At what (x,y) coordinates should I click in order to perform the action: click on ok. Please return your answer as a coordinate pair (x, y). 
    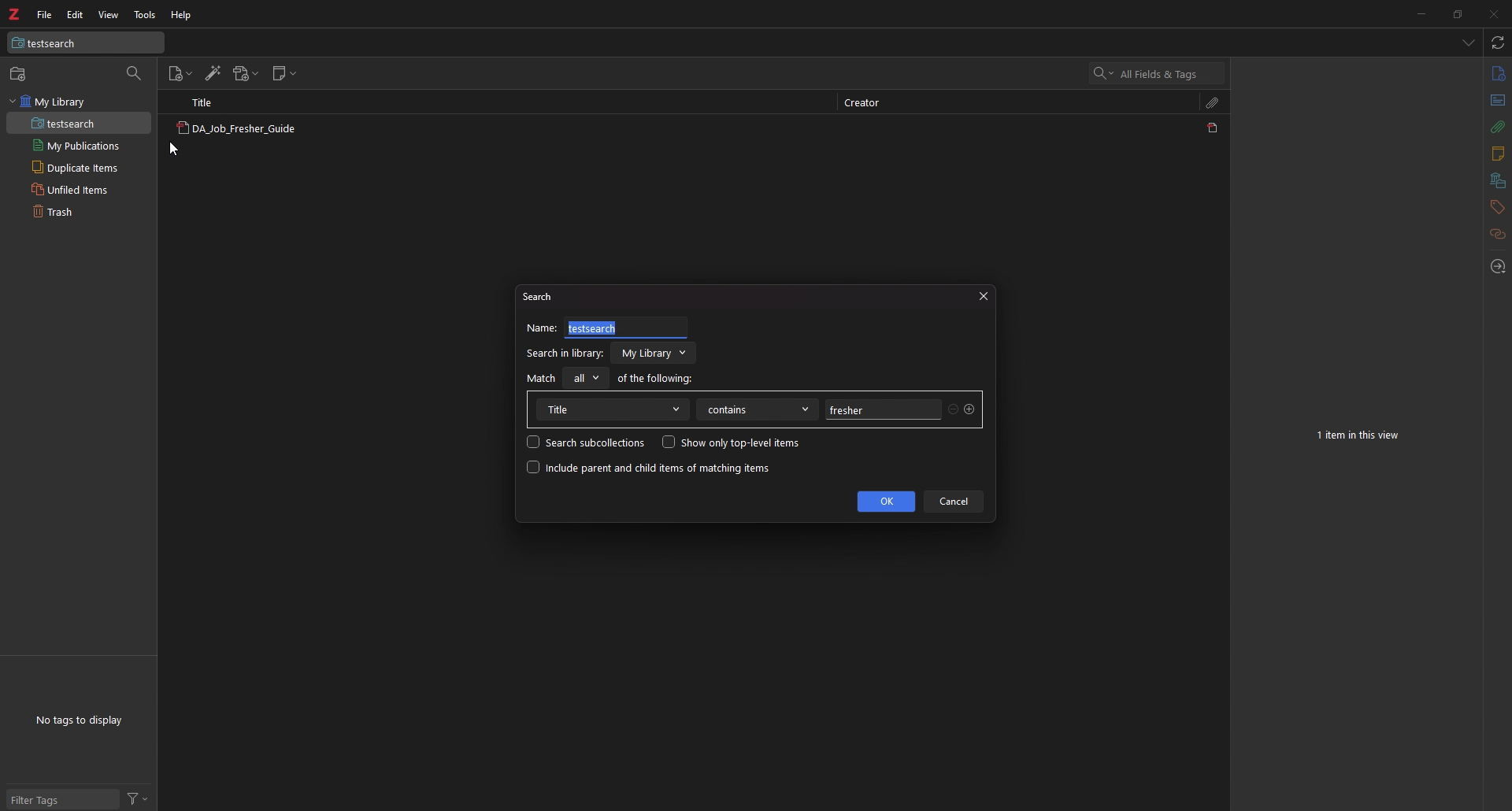
    Looking at the image, I should click on (886, 502).